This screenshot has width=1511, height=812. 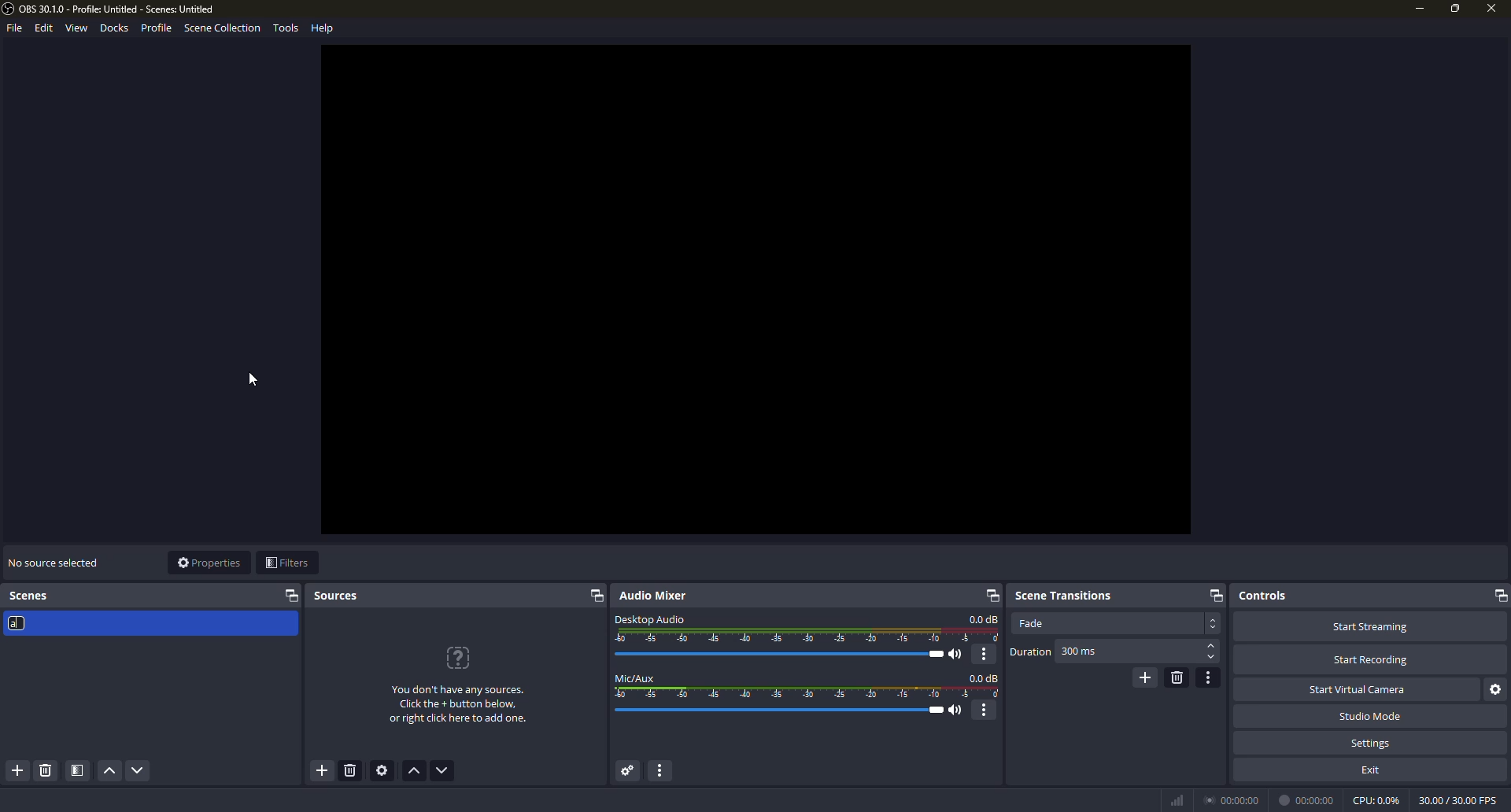 What do you see at coordinates (1372, 743) in the screenshot?
I see `settings` at bounding box center [1372, 743].